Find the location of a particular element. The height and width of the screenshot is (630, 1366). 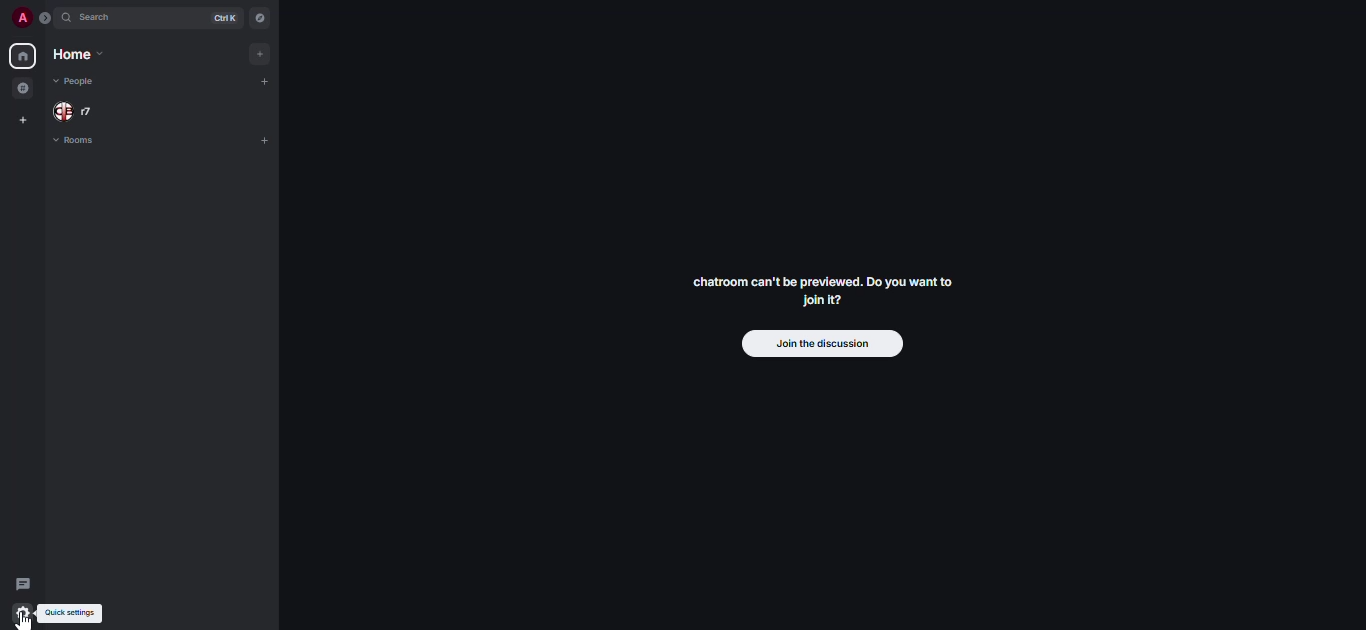

join the discussion is located at coordinates (819, 346).